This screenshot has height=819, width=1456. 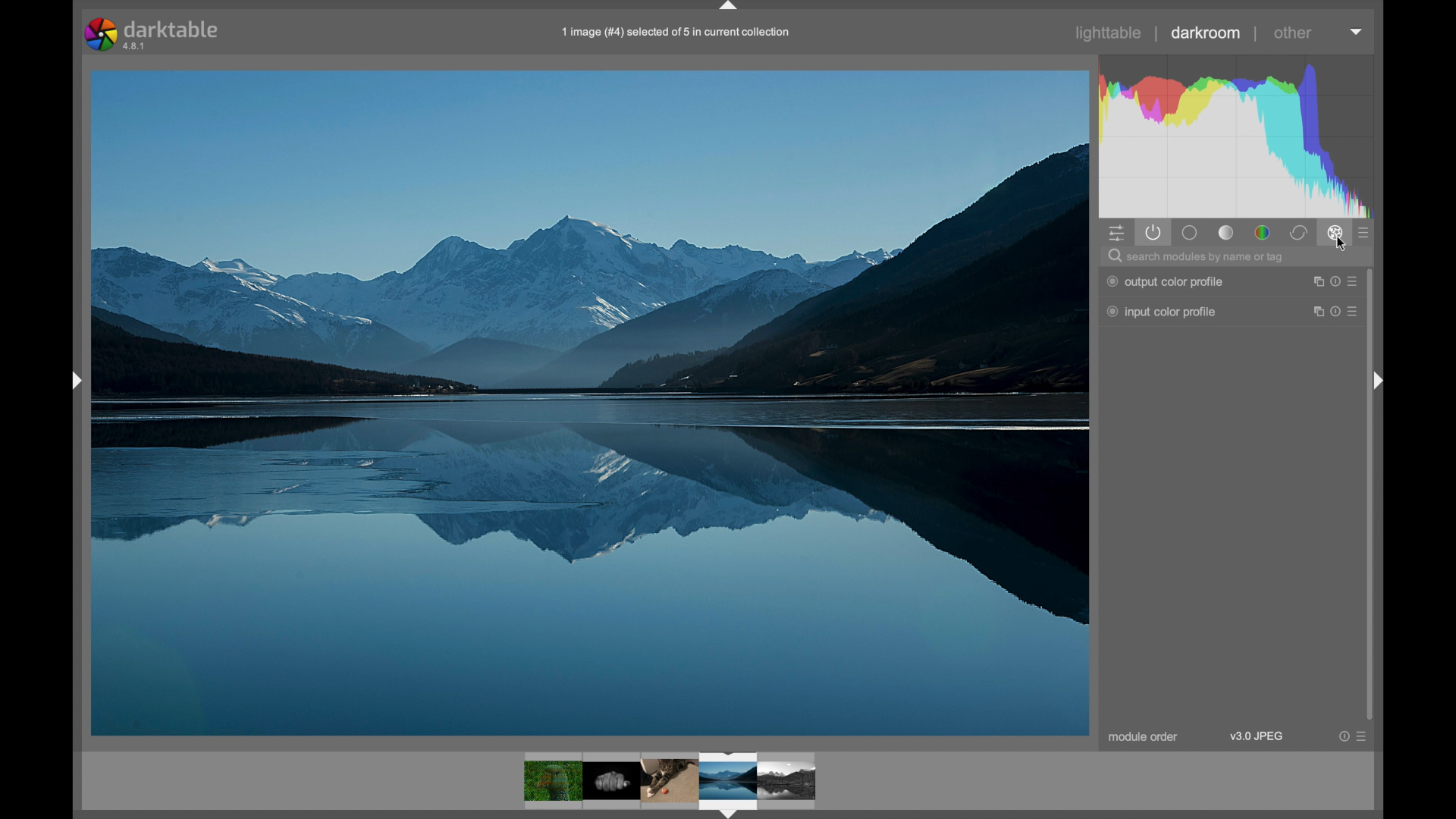 I want to click on show quick access  panel, so click(x=1116, y=232).